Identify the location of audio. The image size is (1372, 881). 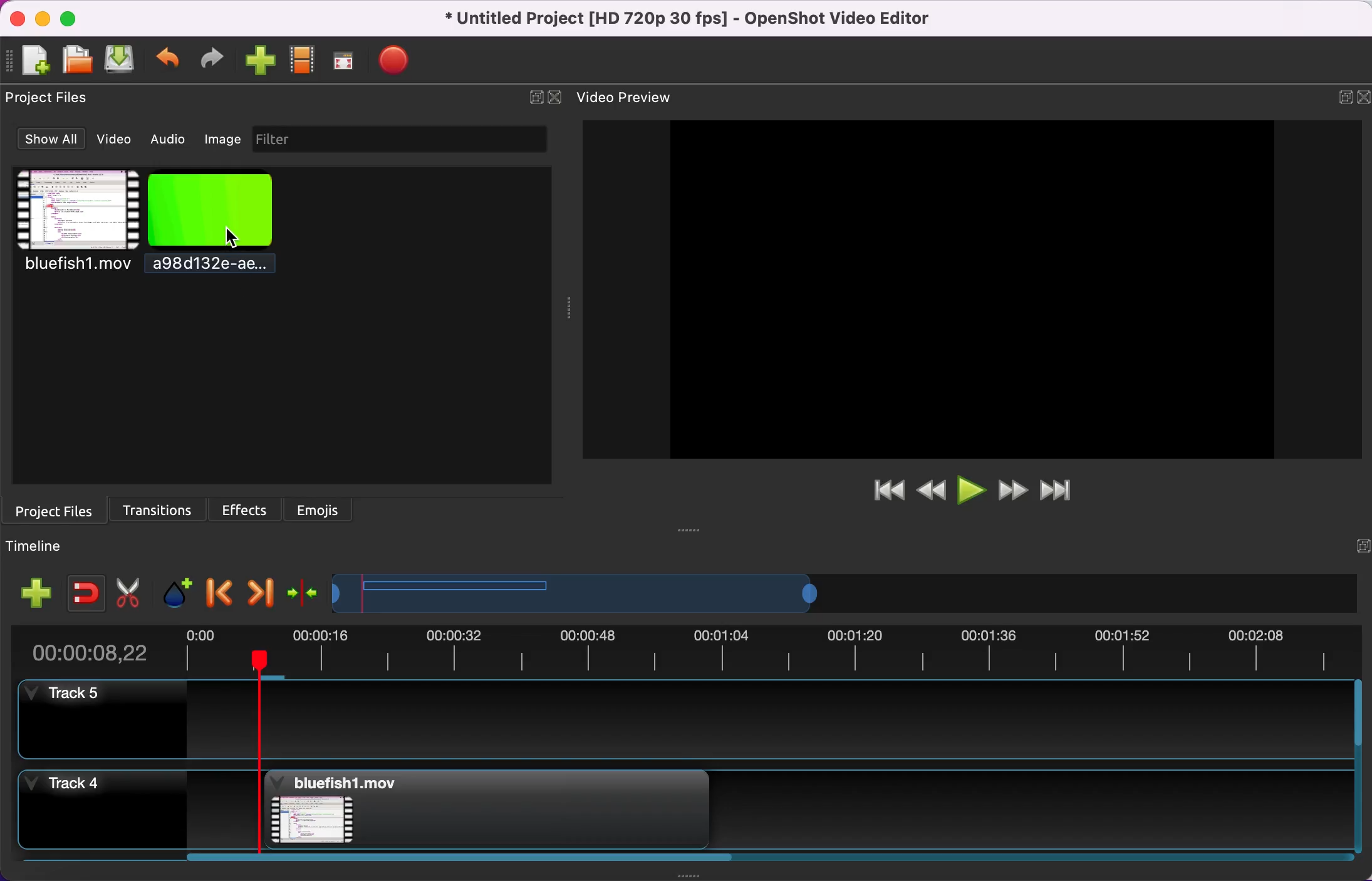
(167, 140).